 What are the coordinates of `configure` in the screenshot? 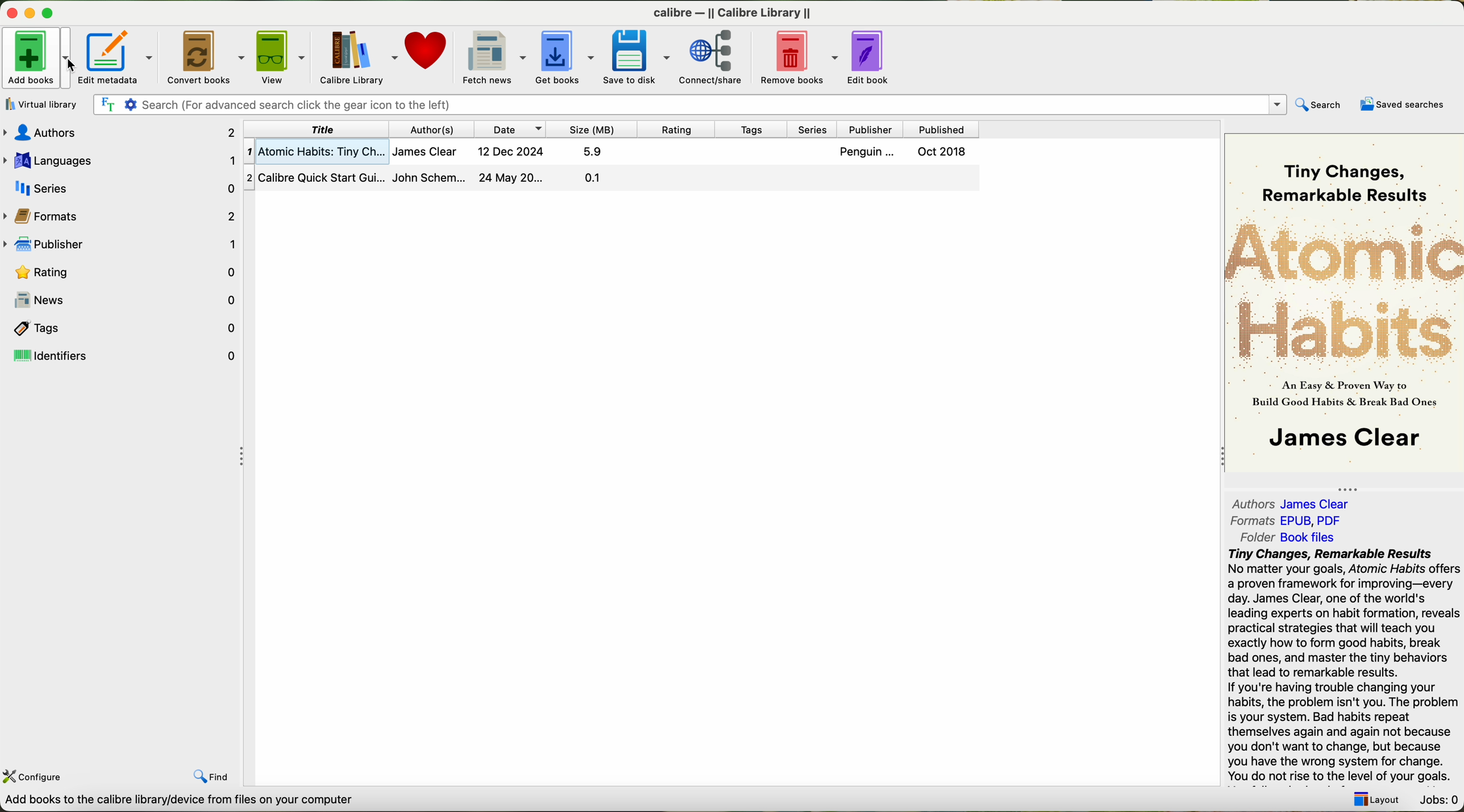 It's located at (35, 777).